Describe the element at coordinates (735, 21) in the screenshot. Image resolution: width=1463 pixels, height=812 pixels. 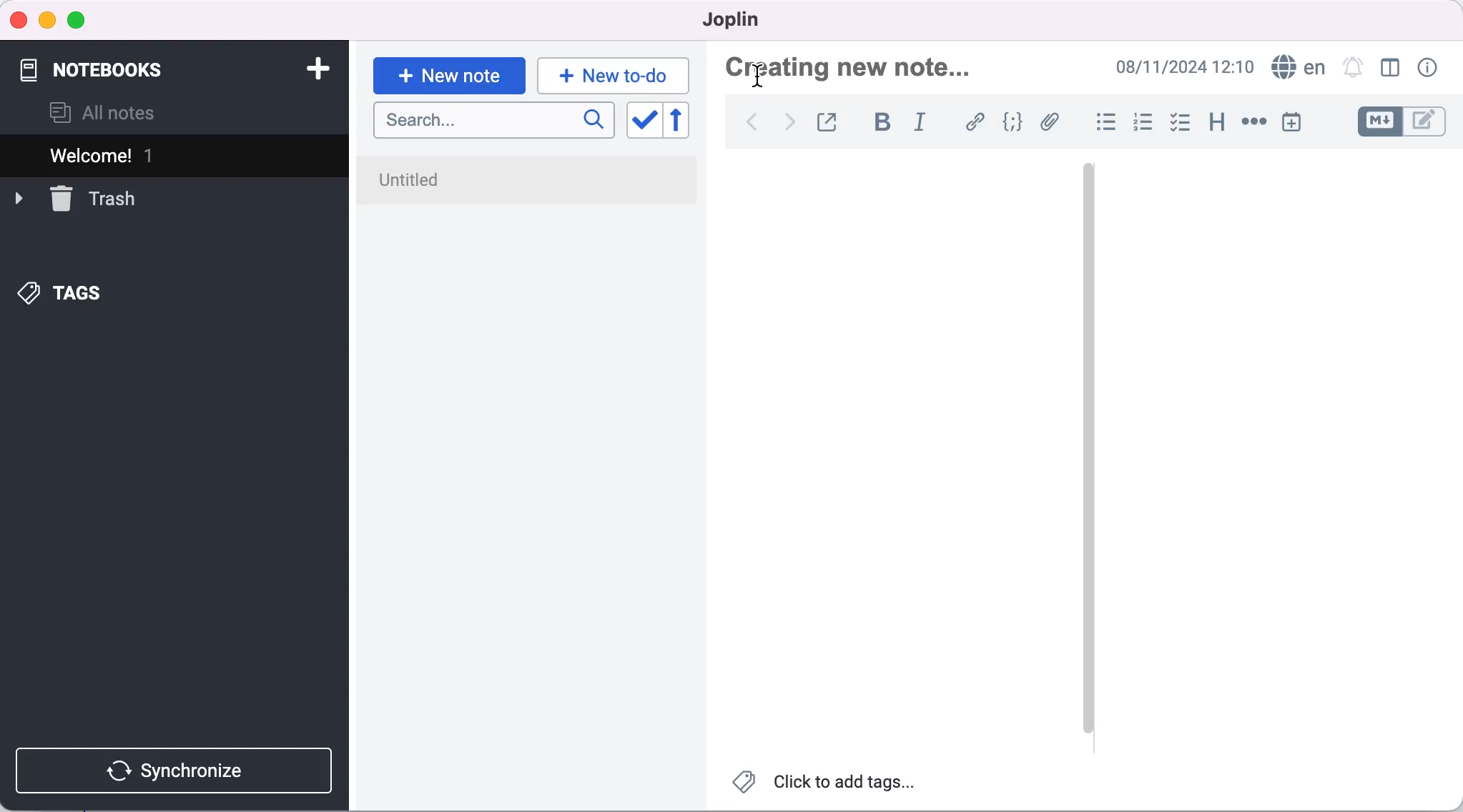
I see `joplin` at that location.